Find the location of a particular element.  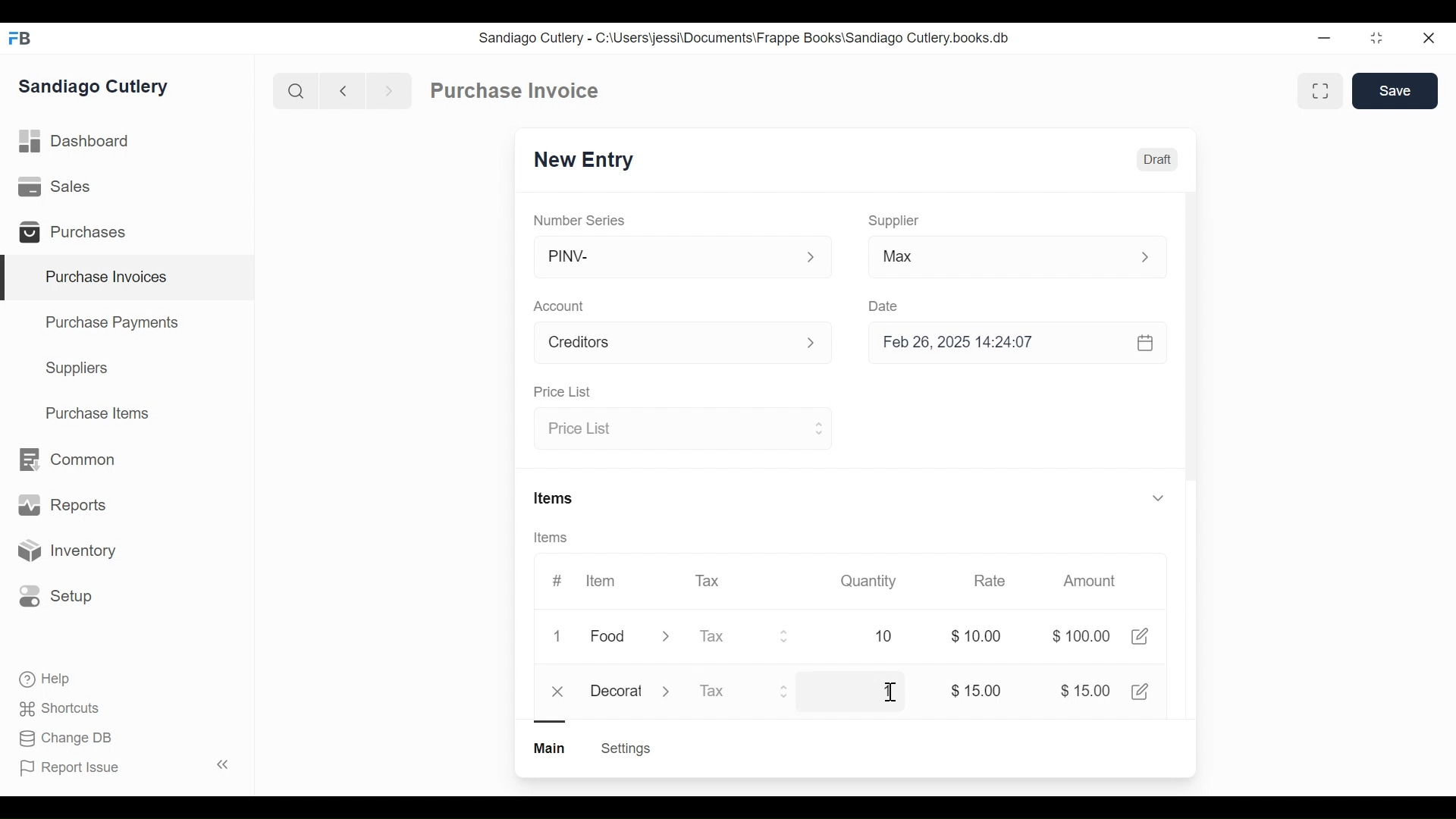

Suppliers is located at coordinates (77, 369).